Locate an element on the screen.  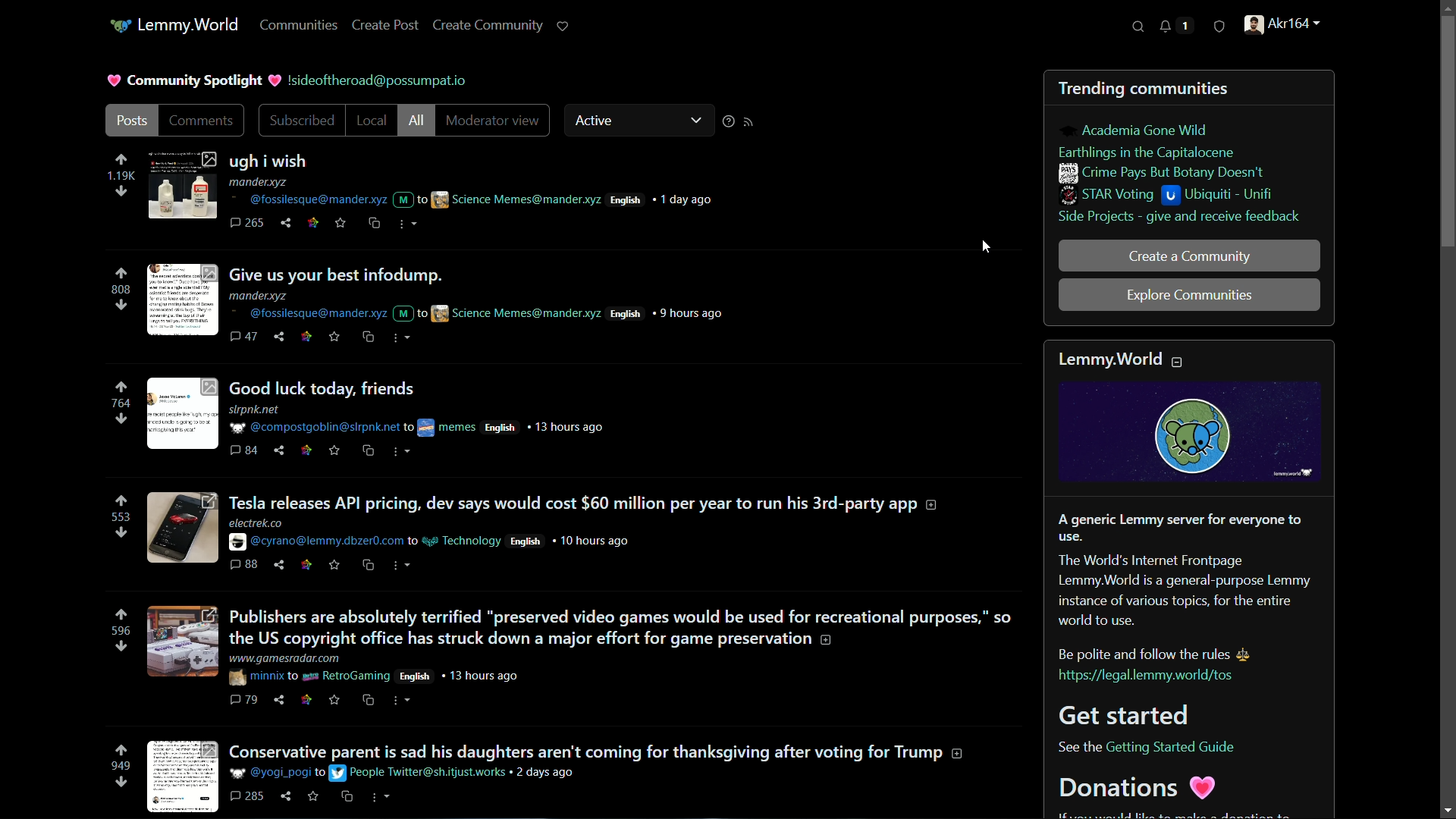
link is located at coordinates (307, 337).